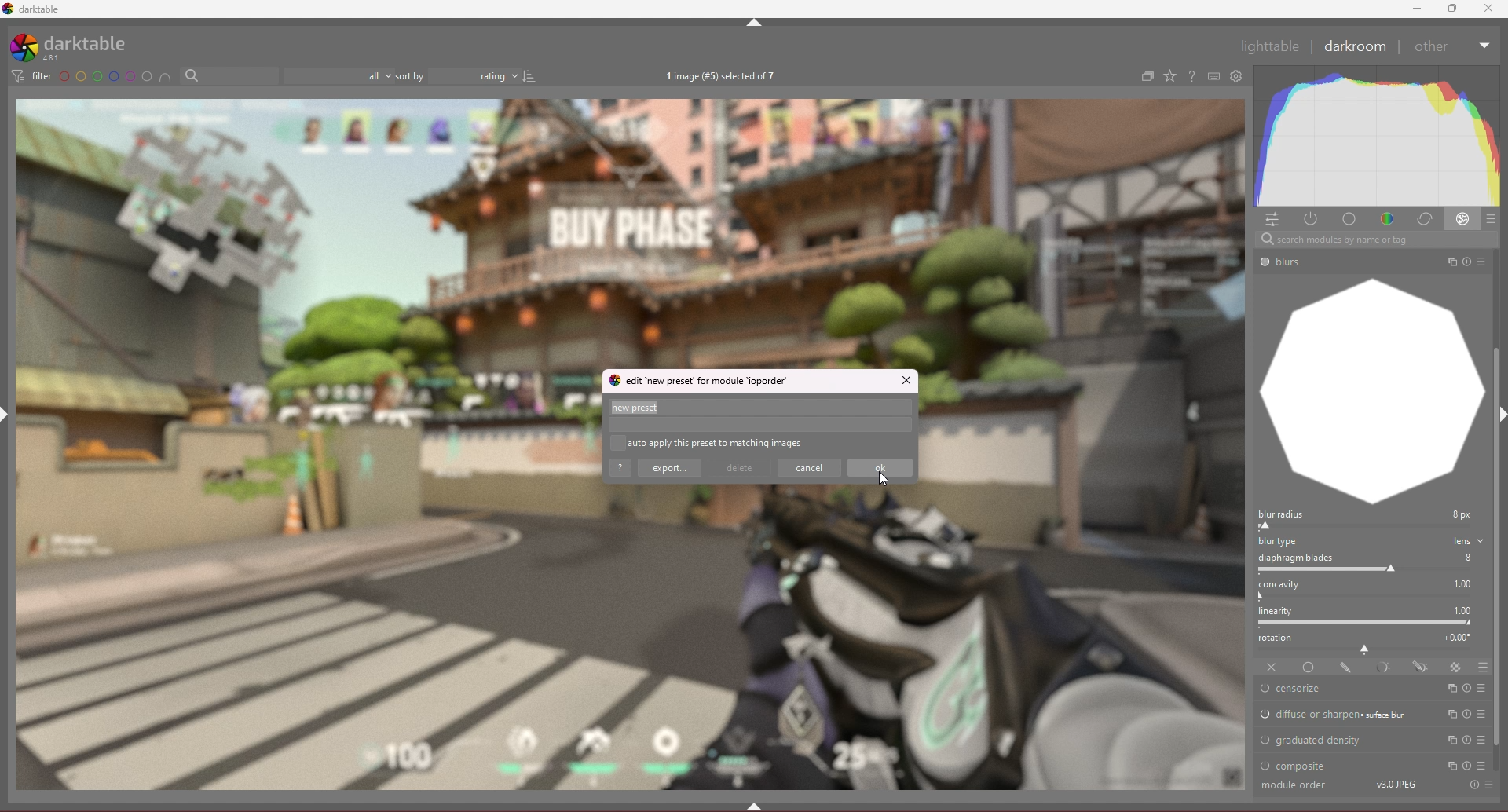 This screenshot has width=1508, height=812. What do you see at coordinates (1395, 785) in the screenshot?
I see `` at bounding box center [1395, 785].